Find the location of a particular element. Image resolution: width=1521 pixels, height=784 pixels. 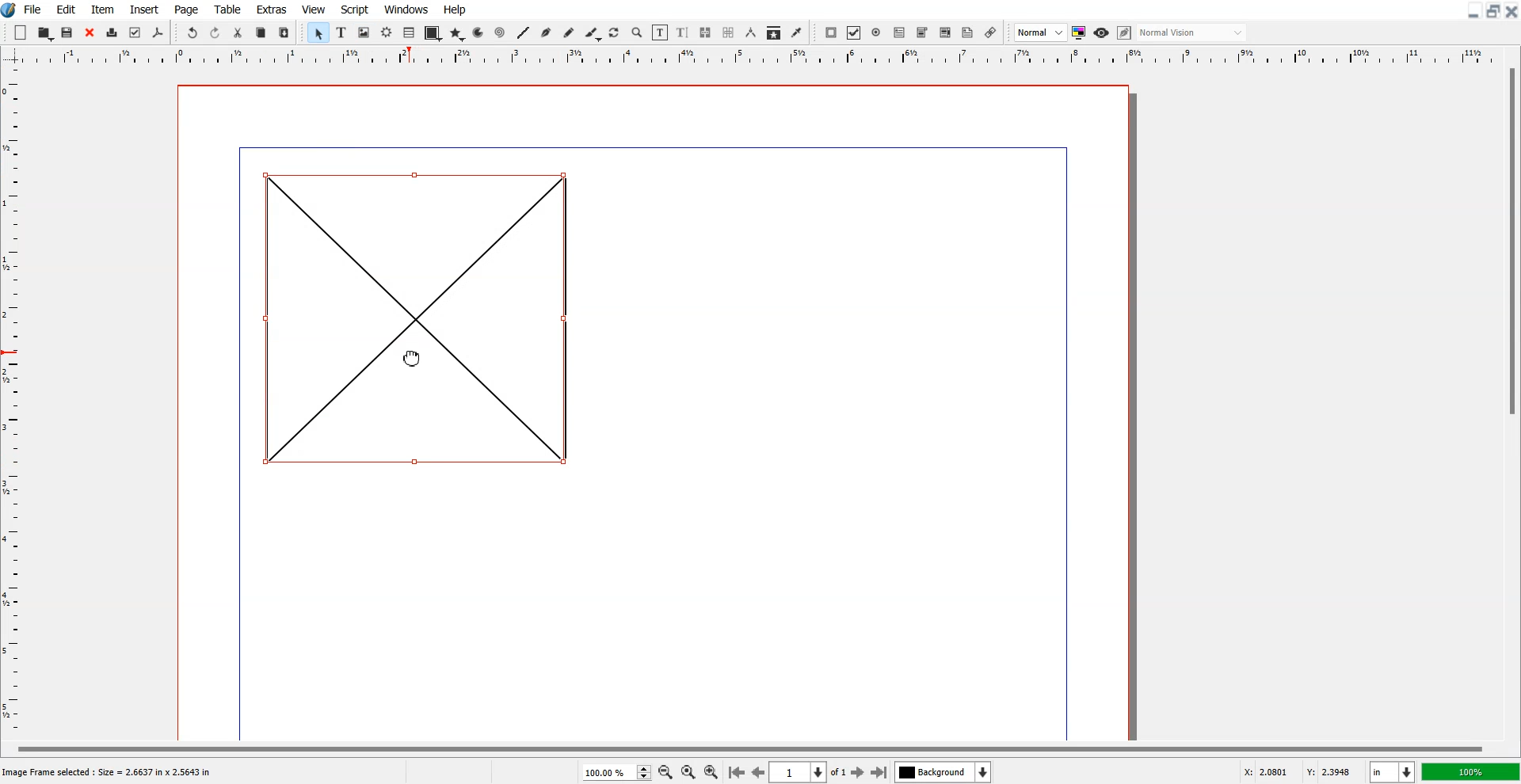

Image frame is located at coordinates (415, 315).